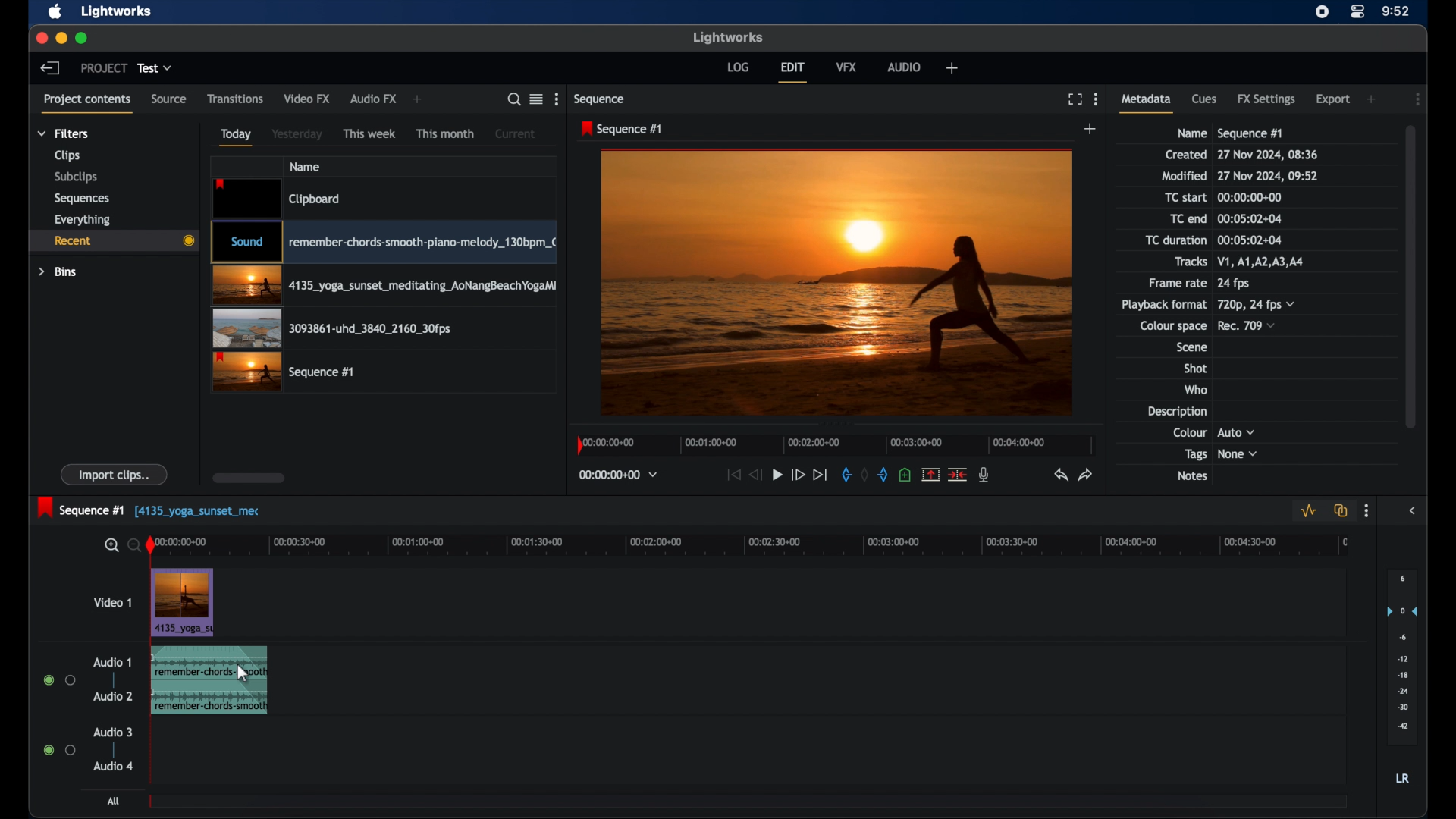  What do you see at coordinates (1163, 304) in the screenshot?
I see `playback format` at bounding box center [1163, 304].